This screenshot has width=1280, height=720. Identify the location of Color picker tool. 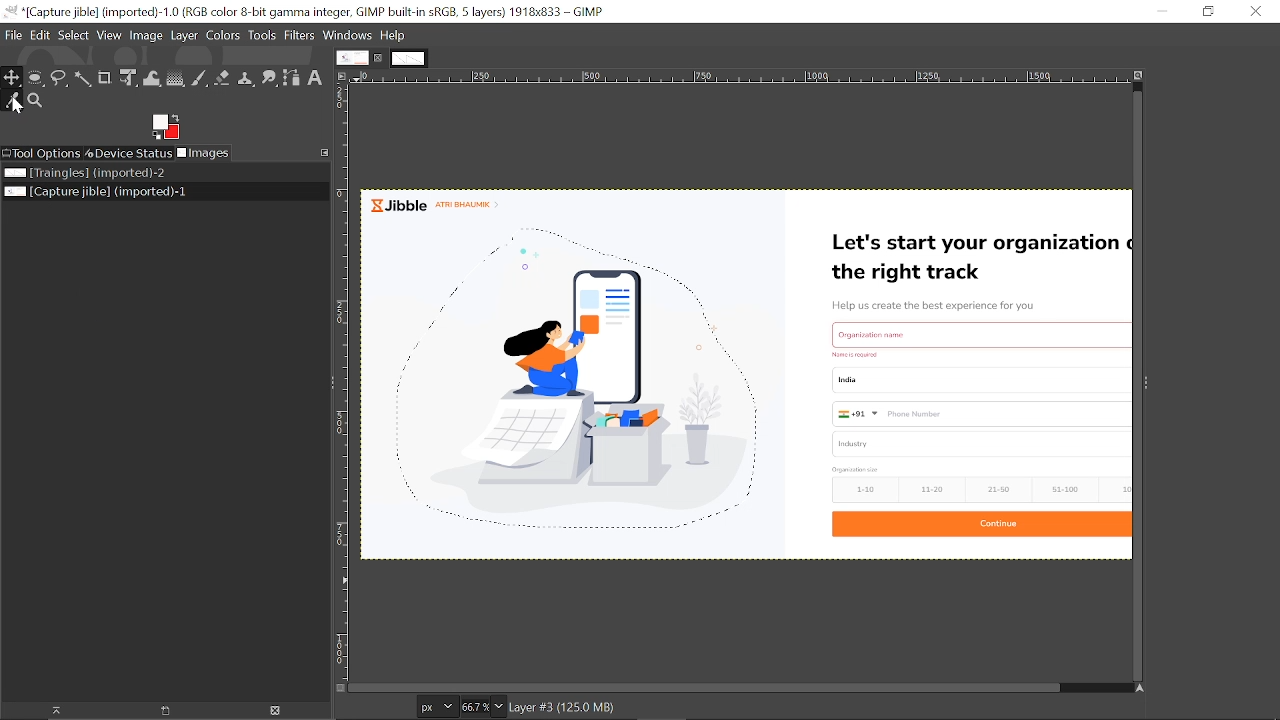
(13, 102).